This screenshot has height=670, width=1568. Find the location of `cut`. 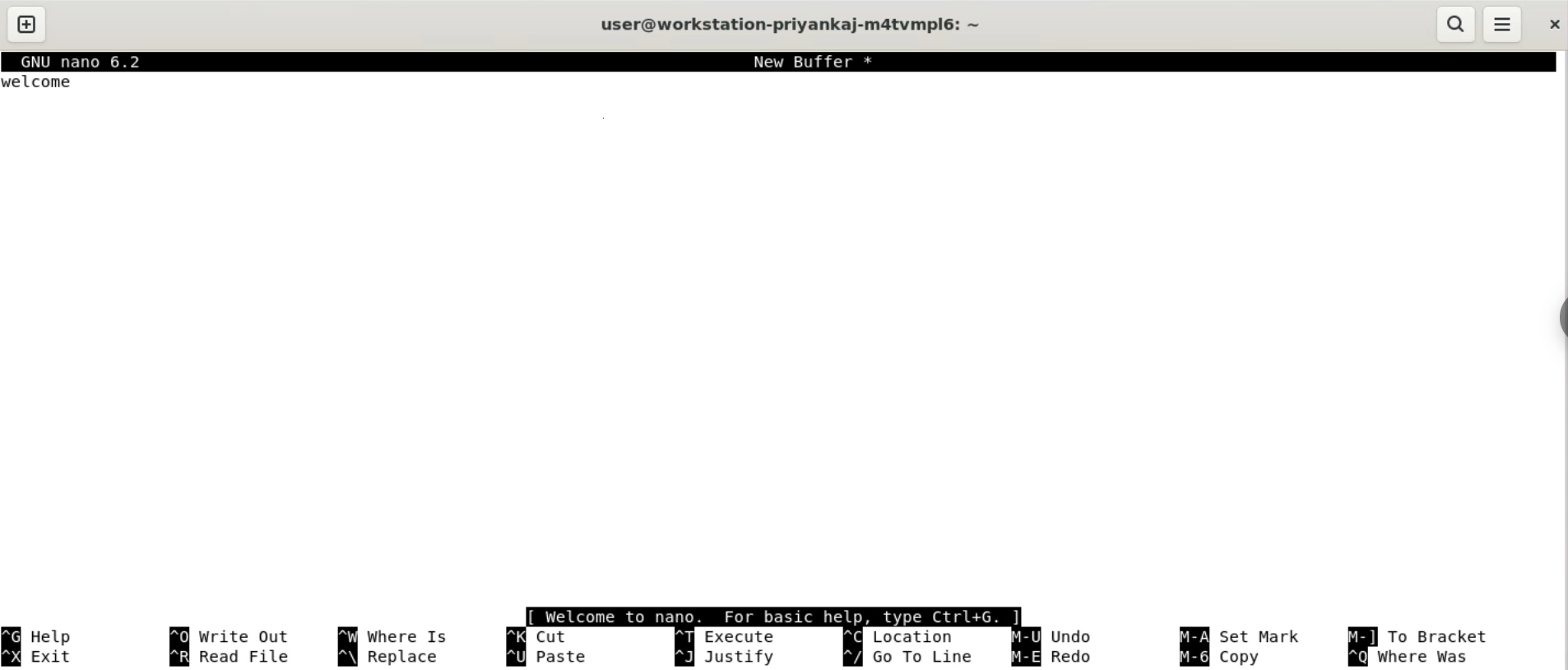

cut is located at coordinates (544, 635).